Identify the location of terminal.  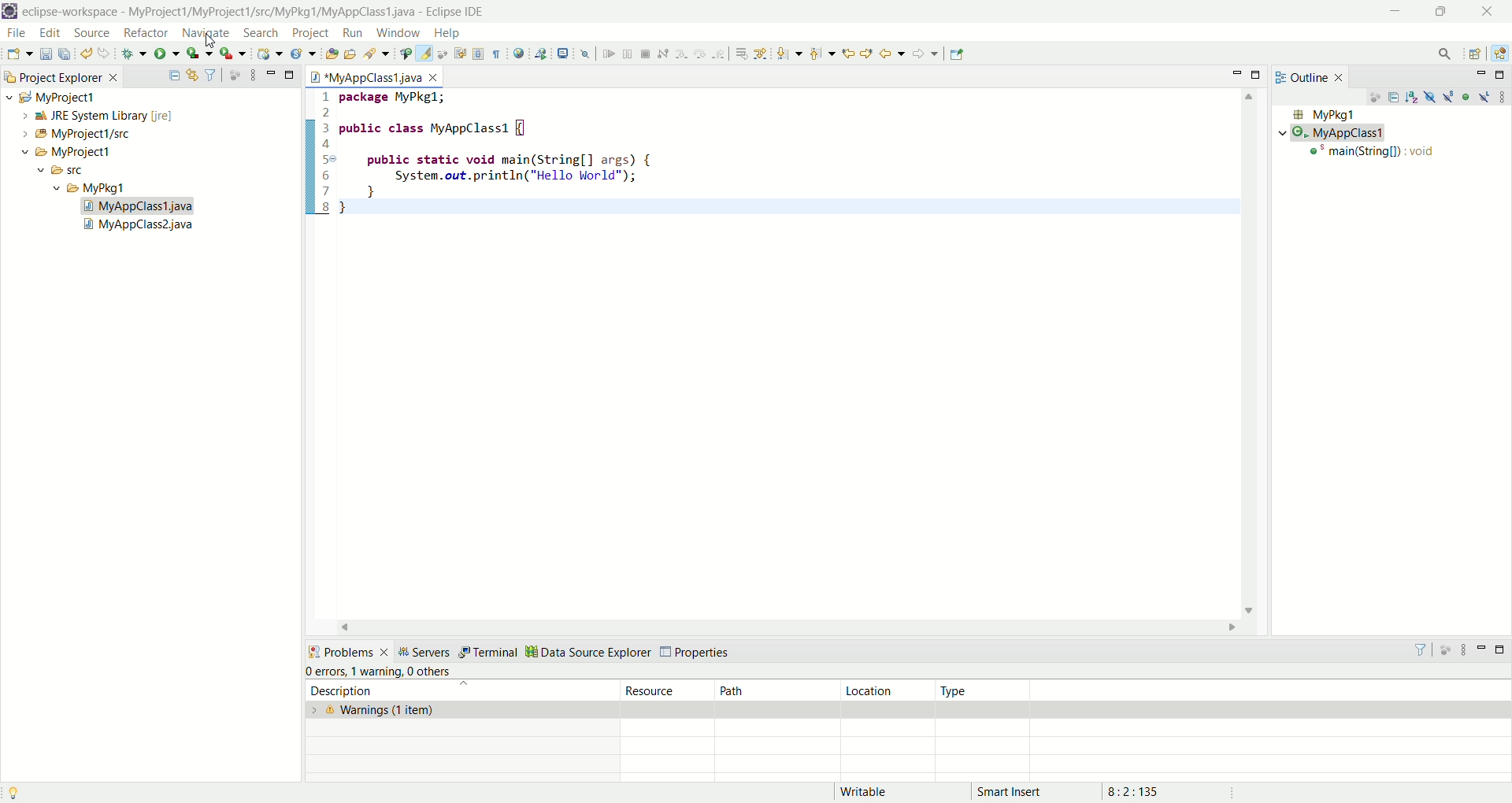
(487, 653).